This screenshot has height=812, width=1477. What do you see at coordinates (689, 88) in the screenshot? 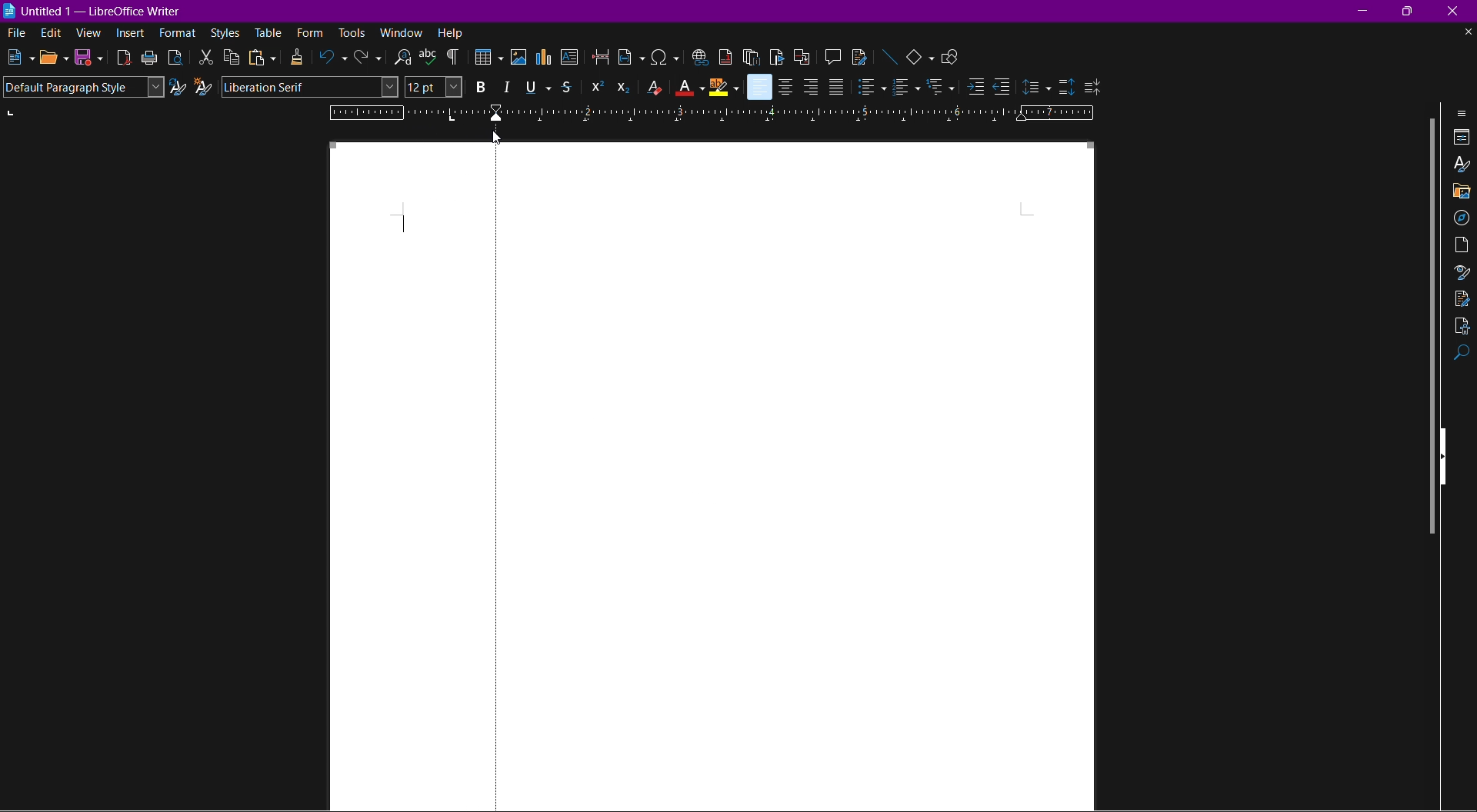
I see `Font Color` at bounding box center [689, 88].